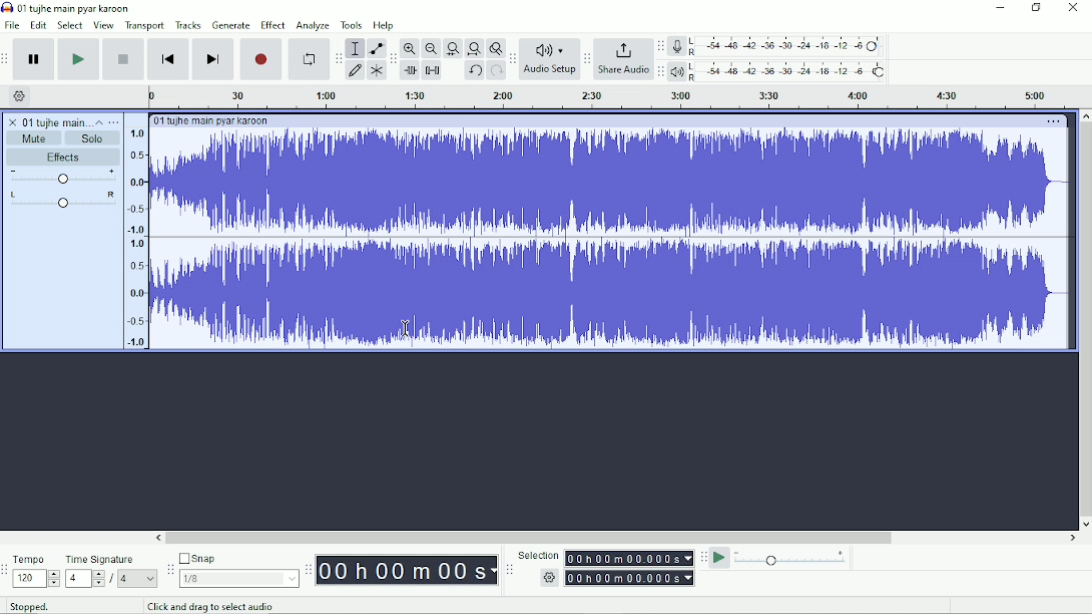 Image resolution: width=1092 pixels, height=614 pixels. What do you see at coordinates (410, 69) in the screenshot?
I see `Trim audio outside selection` at bounding box center [410, 69].